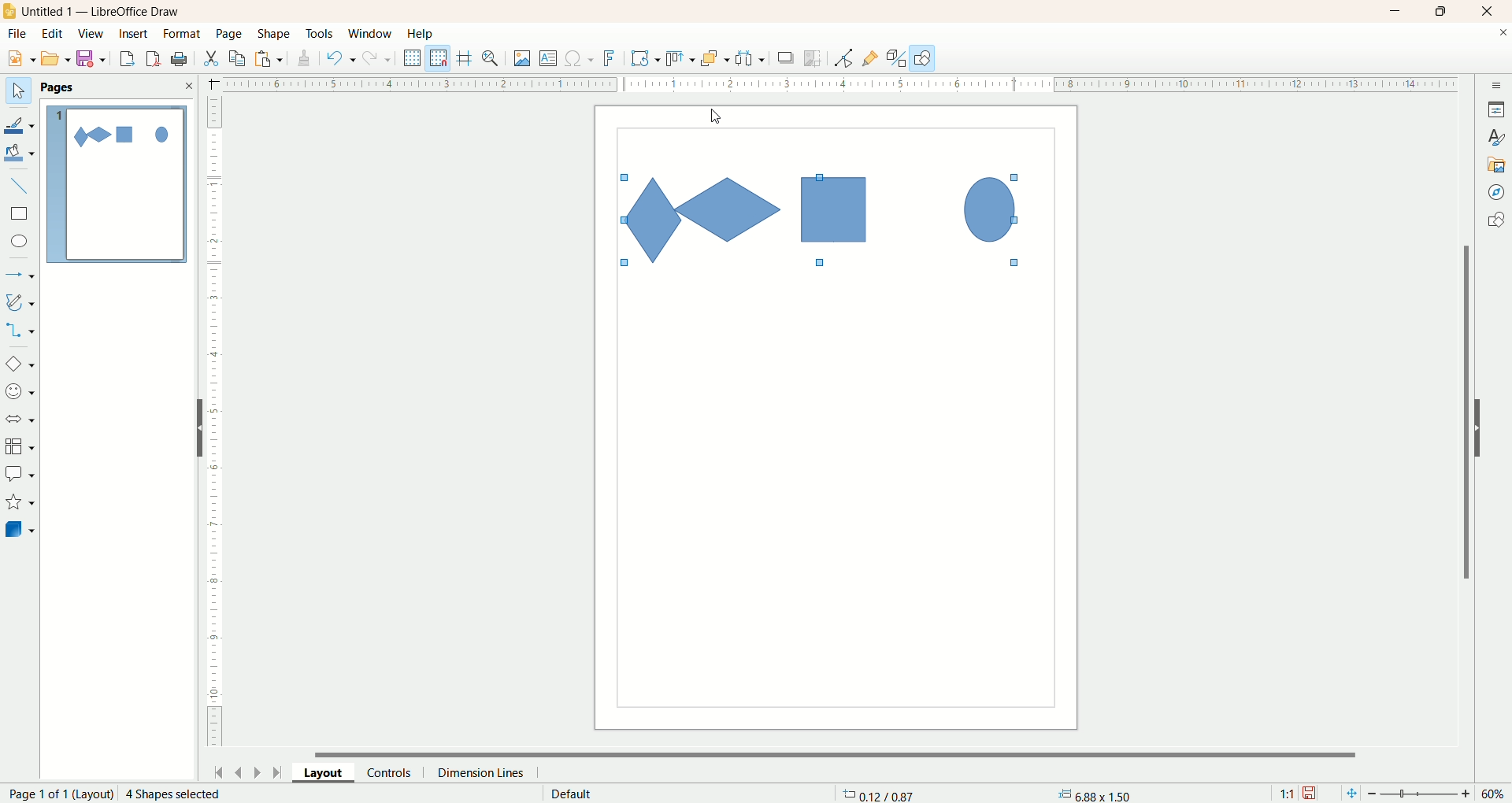 This screenshot has width=1512, height=803. What do you see at coordinates (61, 88) in the screenshot?
I see `Pages` at bounding box center [61, 88].